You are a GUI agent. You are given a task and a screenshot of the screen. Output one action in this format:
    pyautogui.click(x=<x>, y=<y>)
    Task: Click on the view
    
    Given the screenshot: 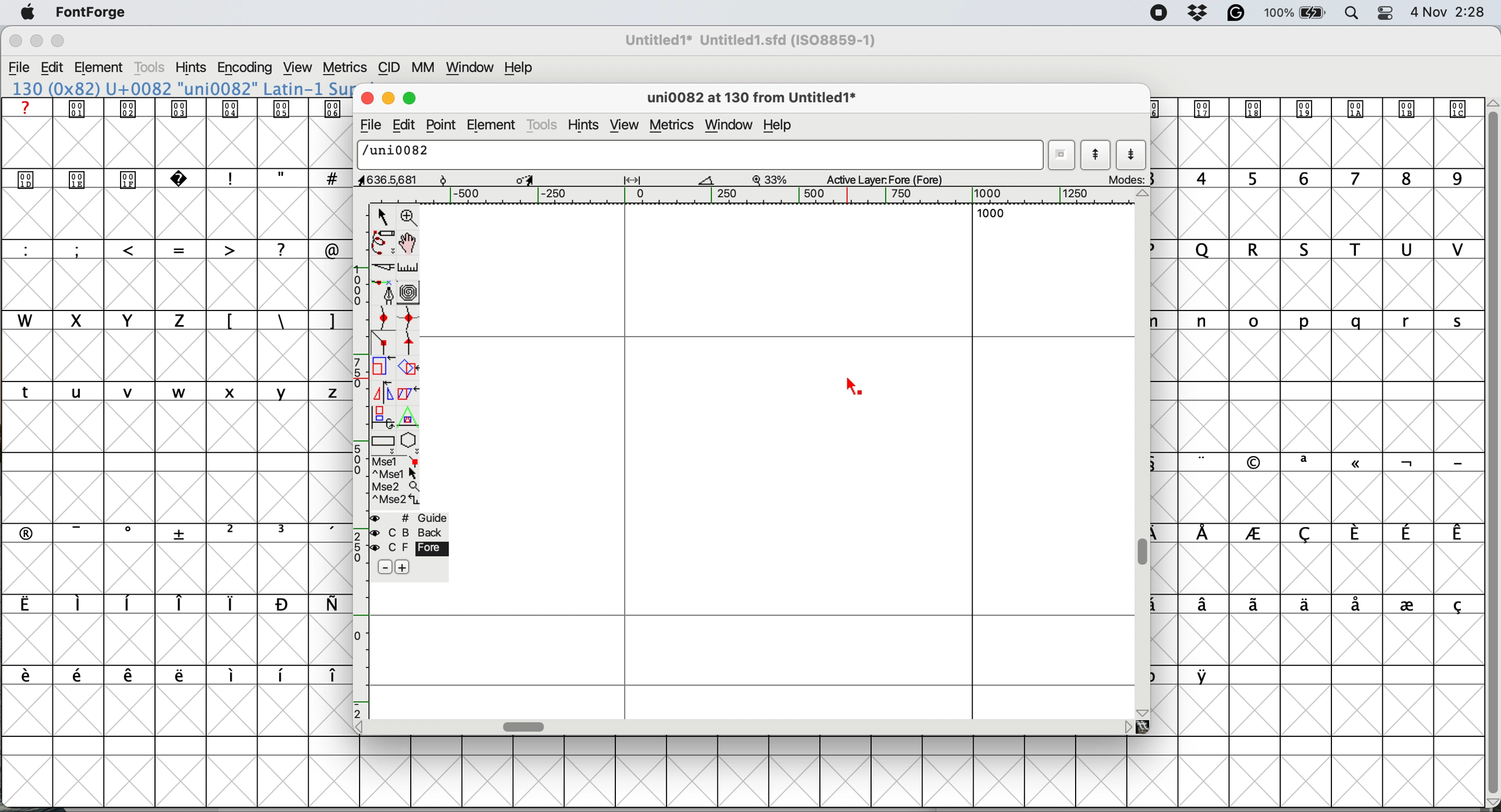 What is the action you would take?
    pyautogui.click(x=625, y=126)
    